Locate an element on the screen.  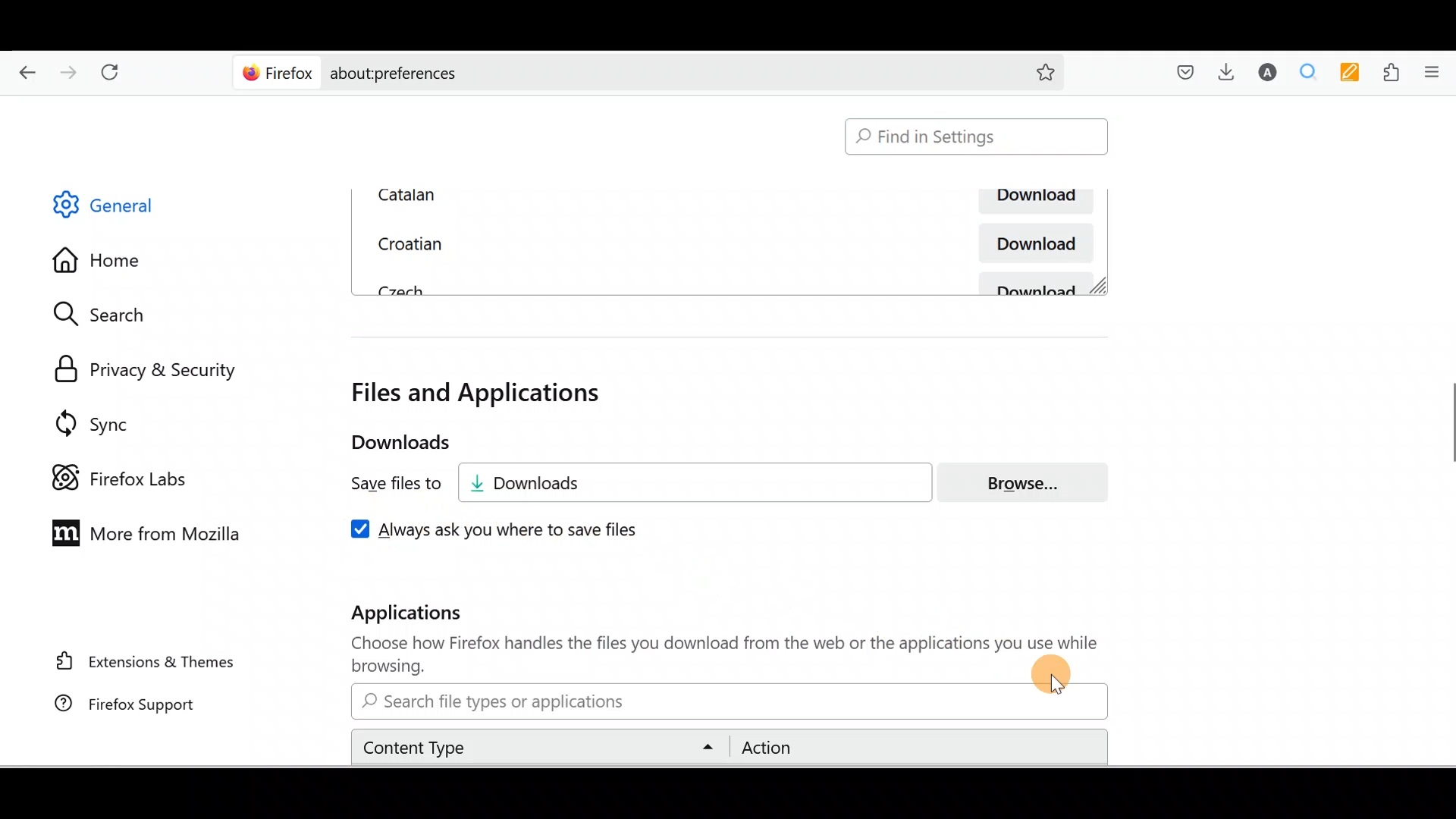
scroll up is located at coordinates (1447, 101).